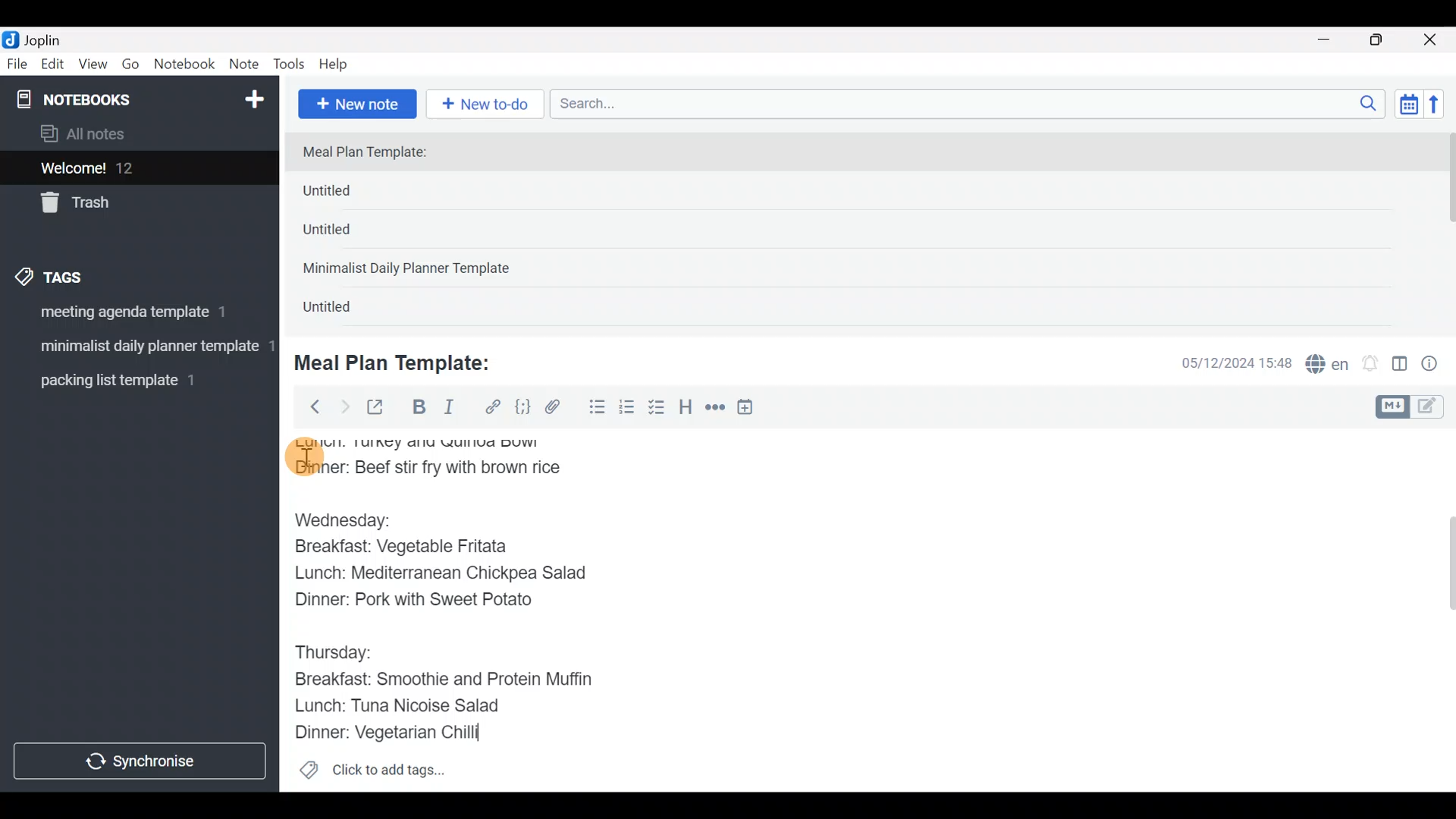  I want to click on Breakfast: Vegetable Fritata, so click(415, 546).